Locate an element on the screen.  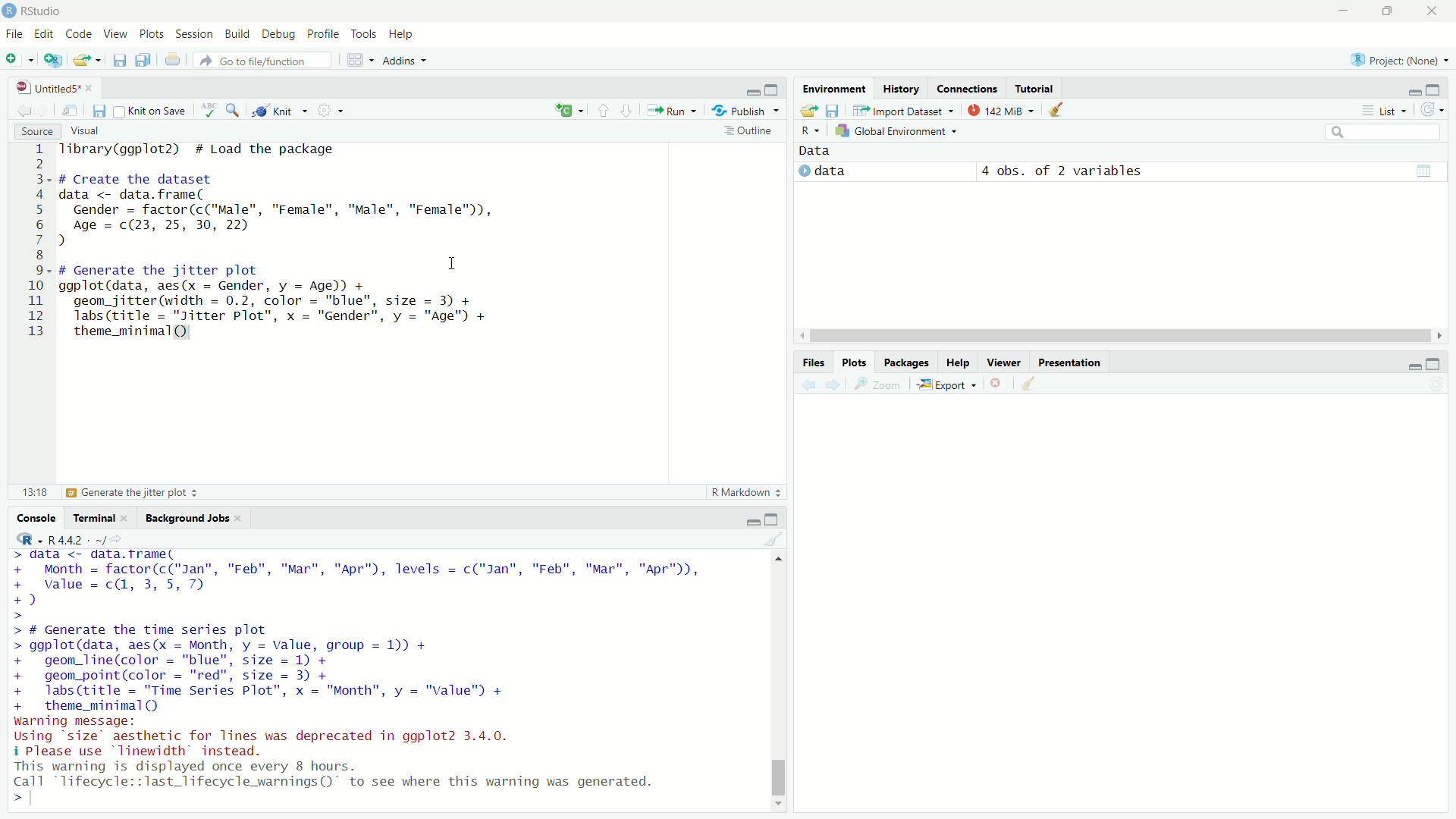
project: (None) is located at coordinates (1398, 60).